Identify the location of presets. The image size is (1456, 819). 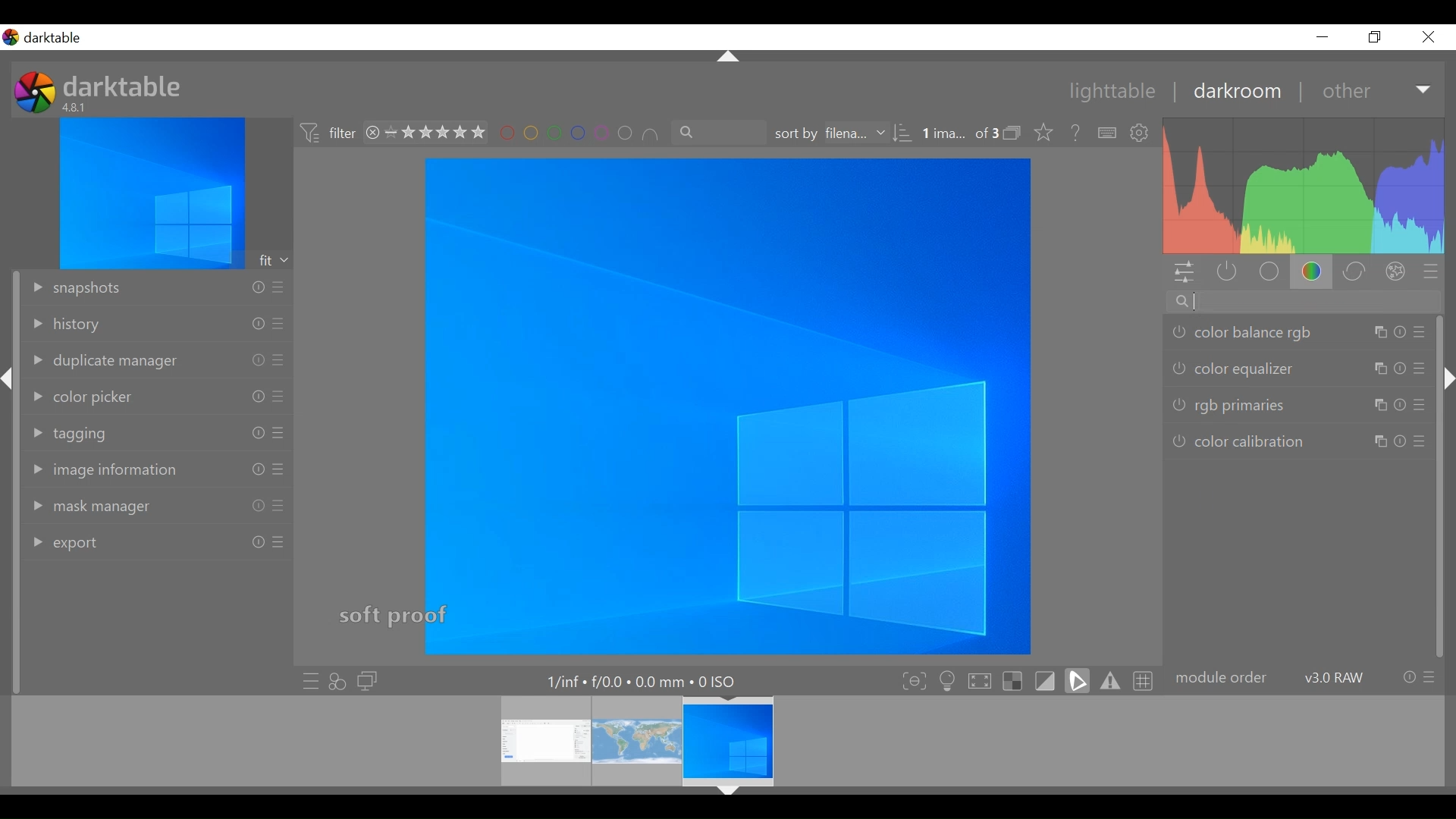
(280, 469).